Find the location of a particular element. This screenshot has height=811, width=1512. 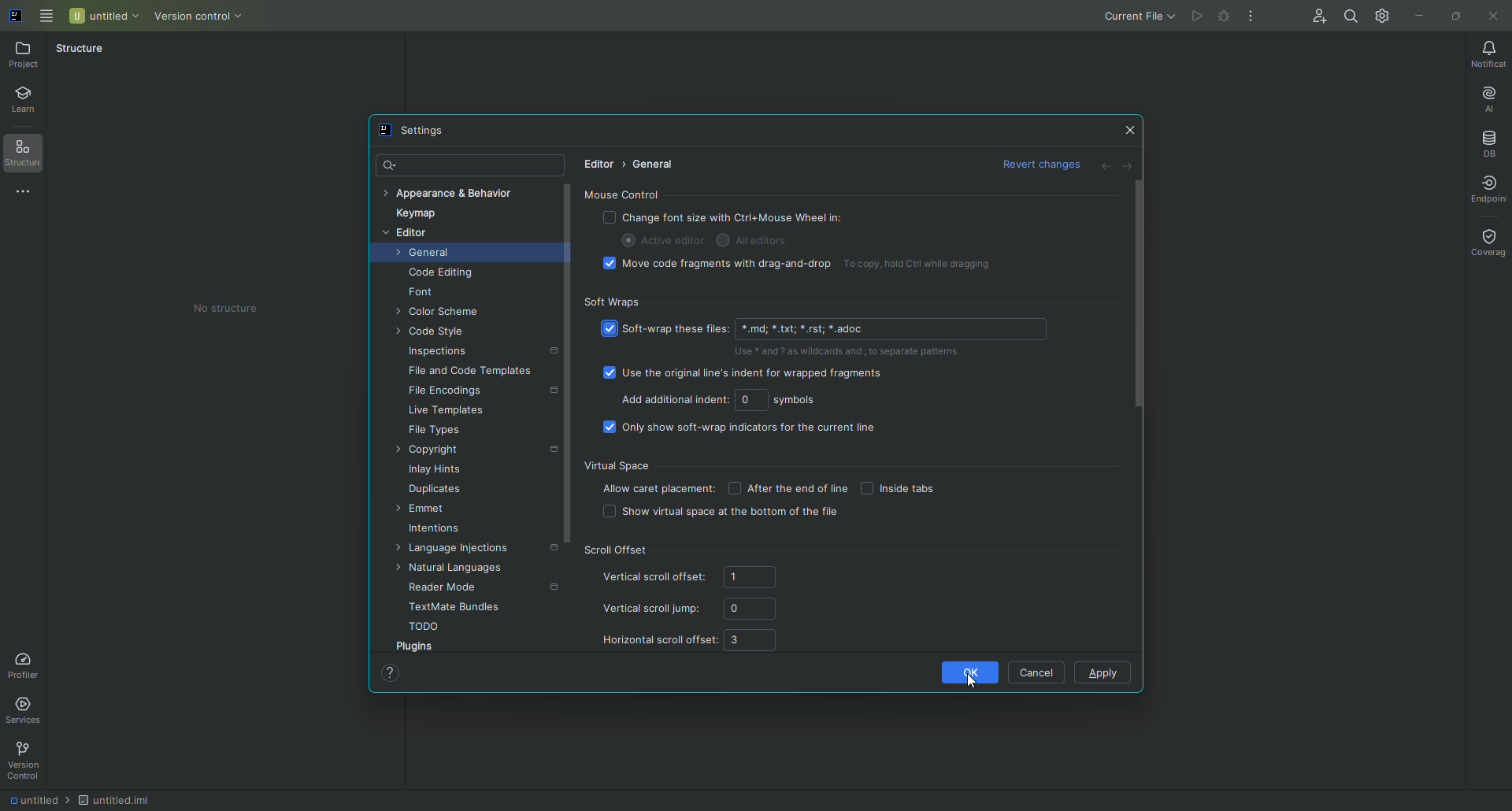

Current File is located at coordinates (1134, 17).